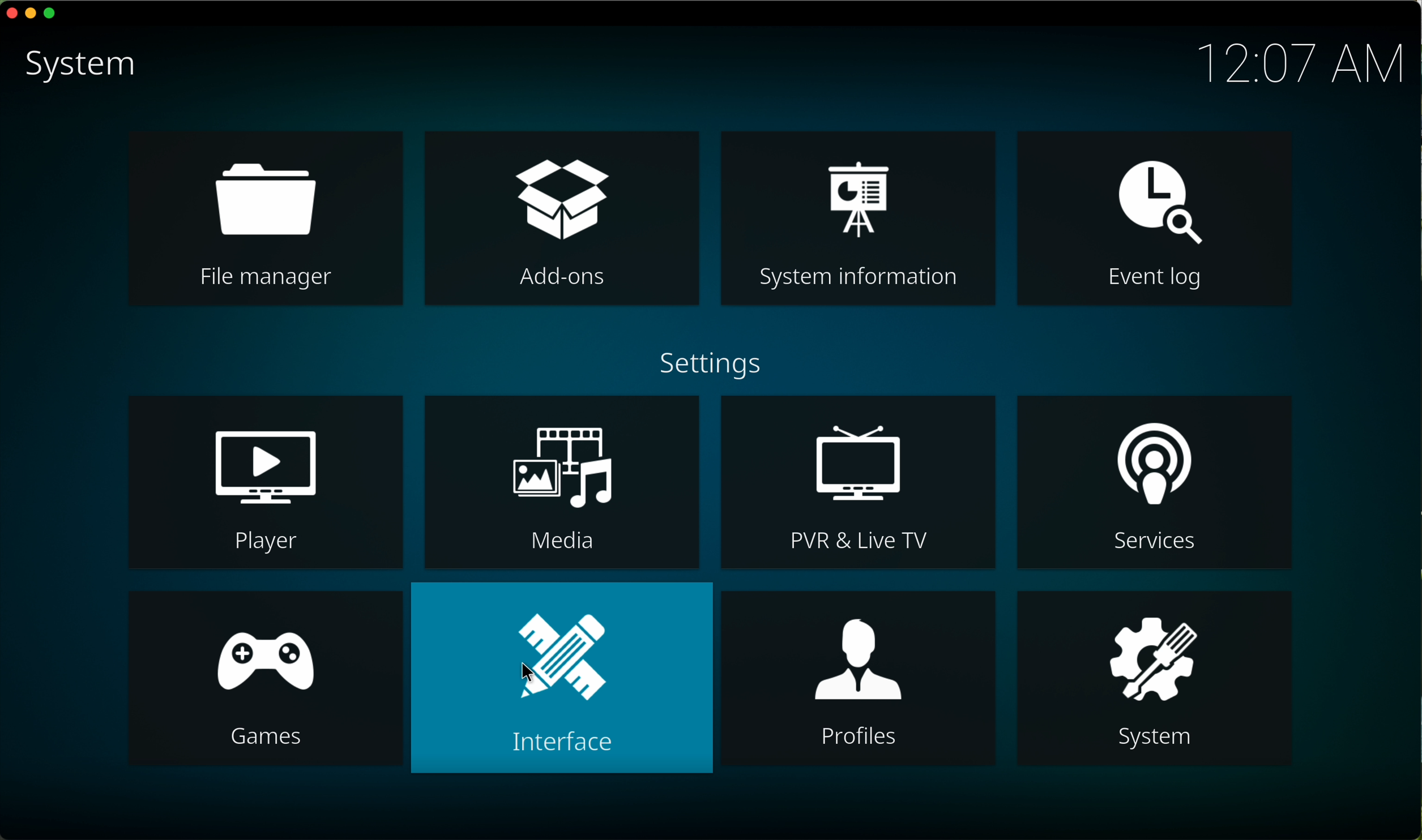 This screenshot has height=840, width=1422. Describe the element at coordinates (562, 216) in the screenshot. I see `add-ons` at that location.